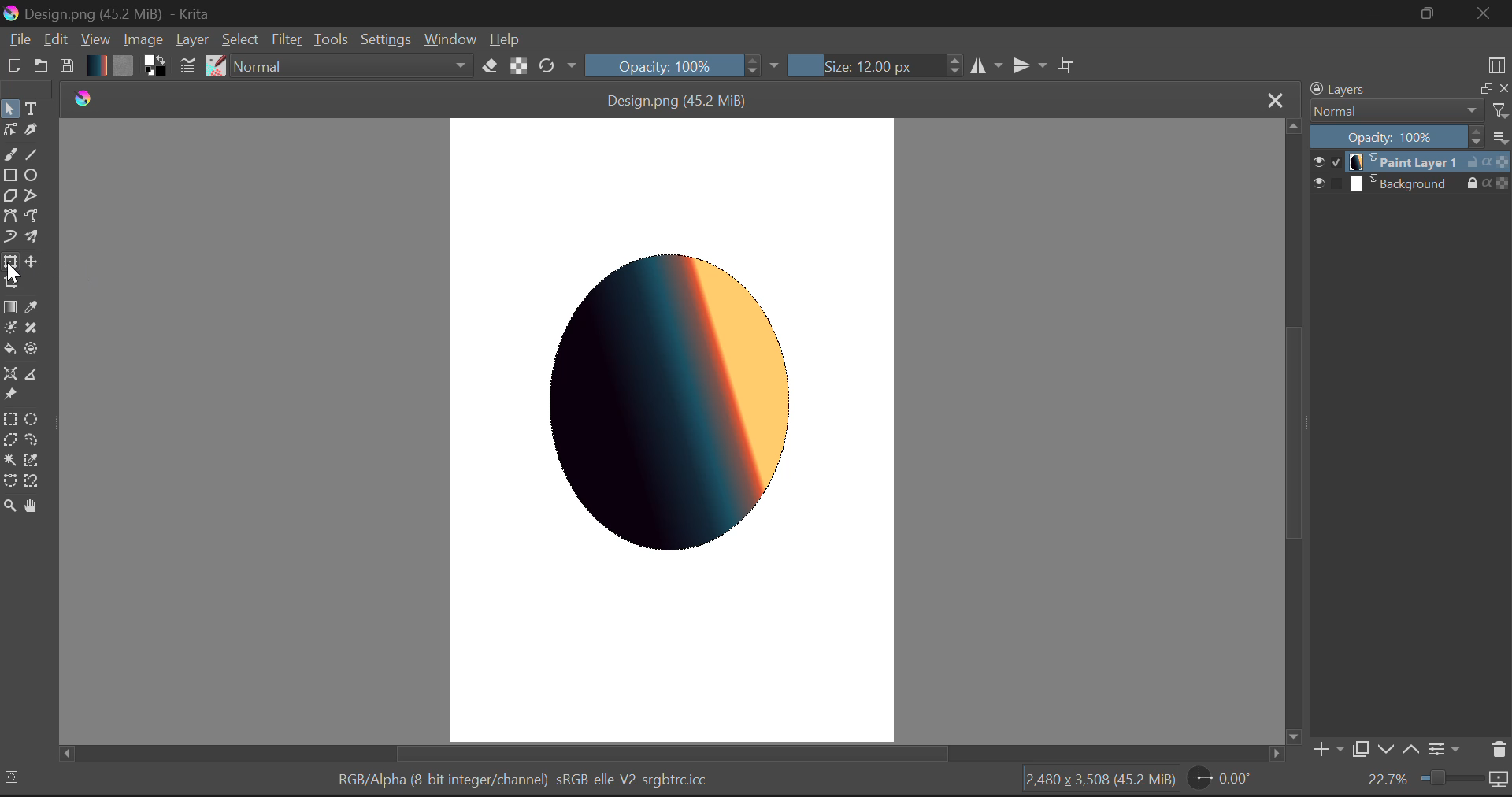  Describe the element at coordinates (9, 238) in the screenshot. I see `Dynamic Brush` at that location.